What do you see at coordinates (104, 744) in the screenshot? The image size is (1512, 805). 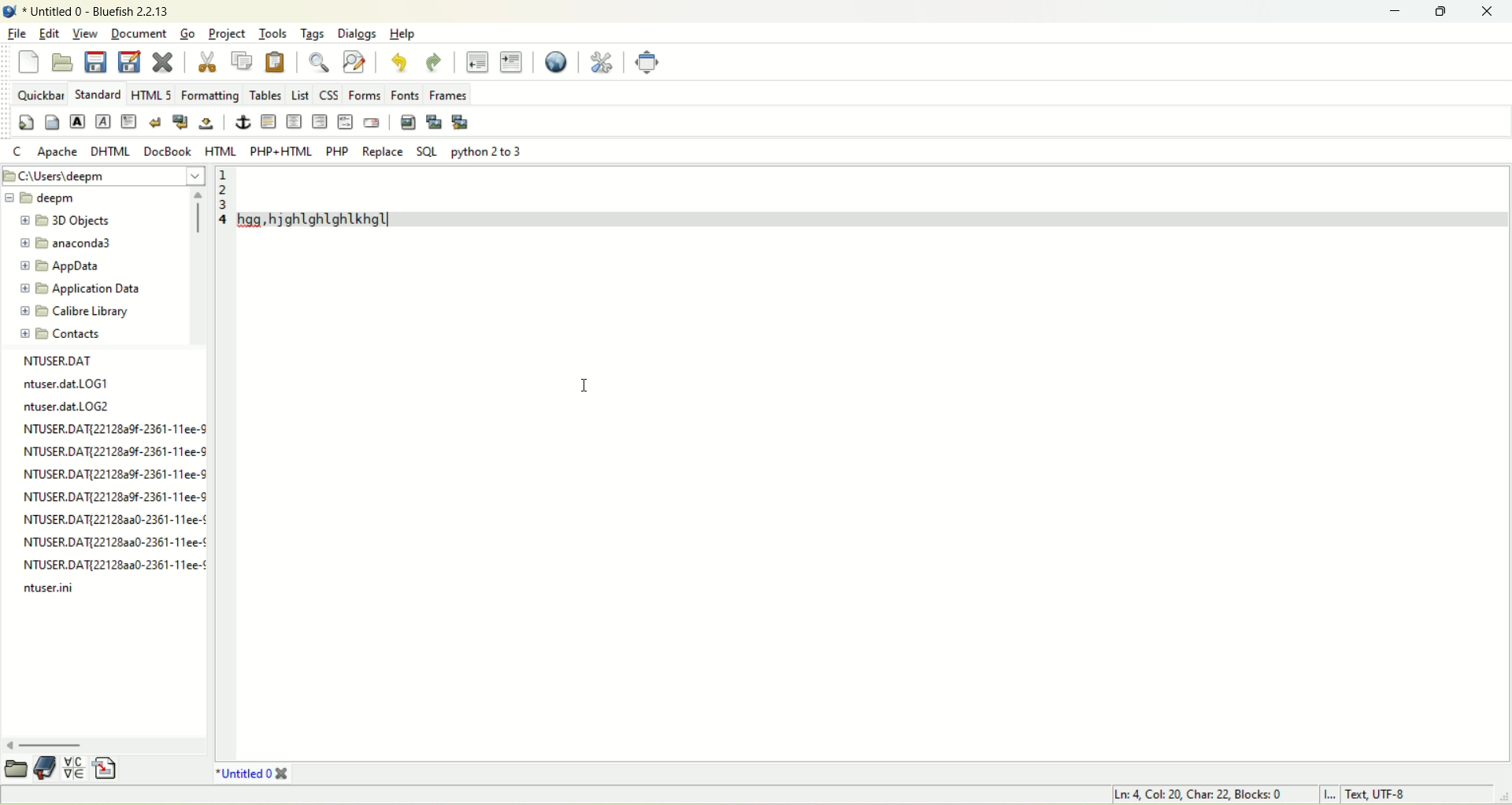 I see `scroll bar` at bounding box center [104, 744].